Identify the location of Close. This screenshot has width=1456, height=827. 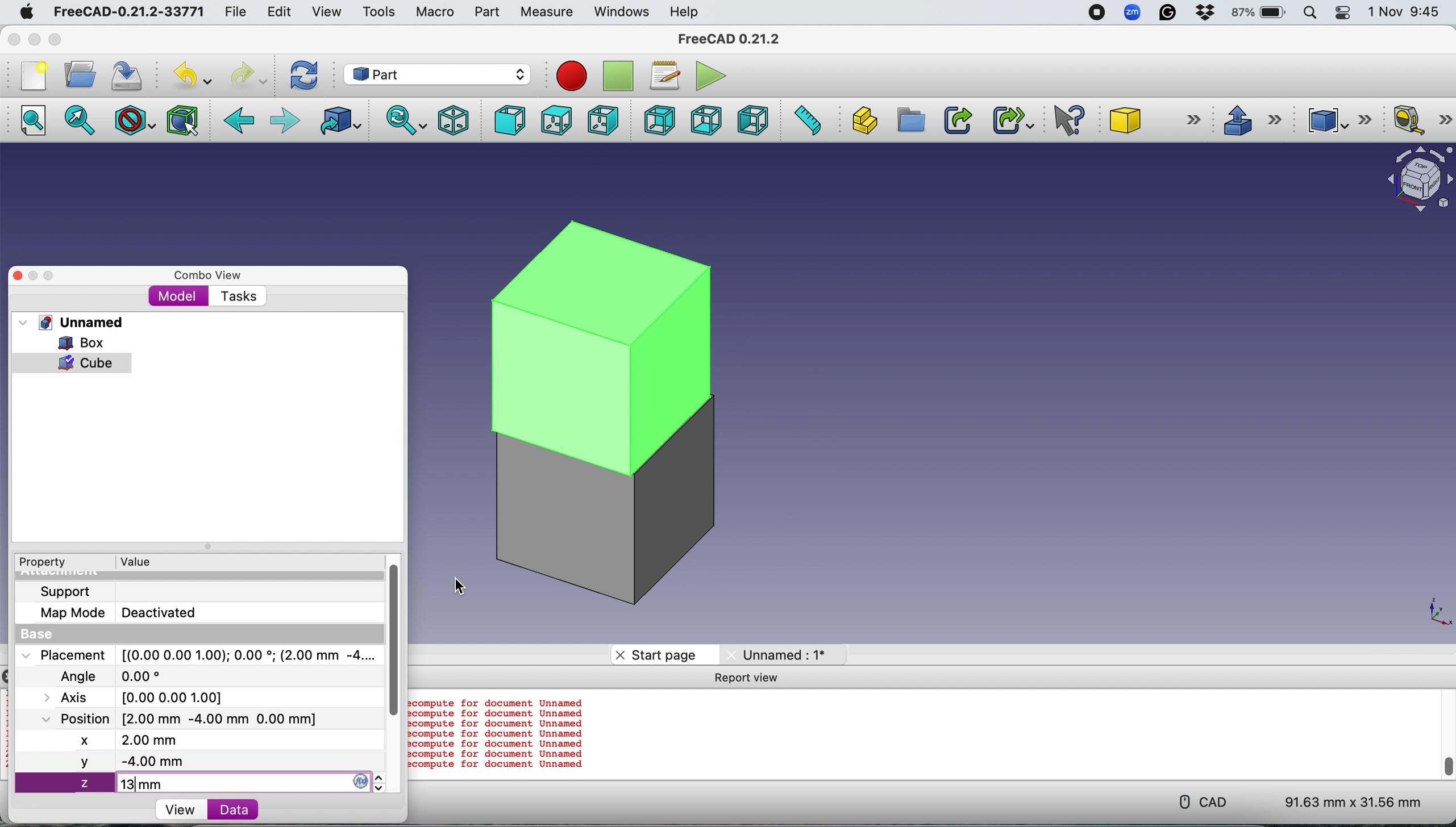
(18, 276).